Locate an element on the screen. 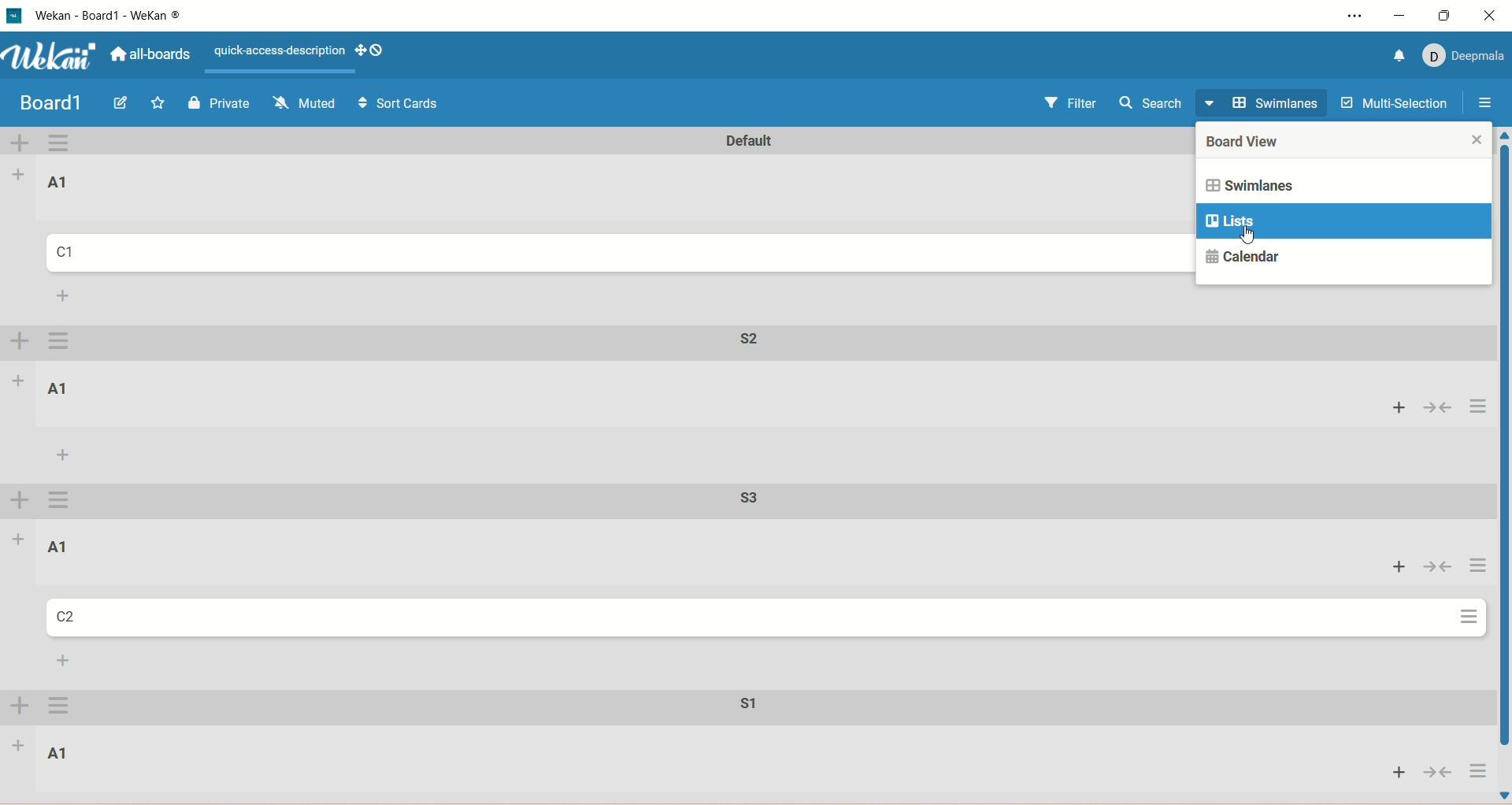 The image size is (1512, 805). minimize is located at coordinates (1403, 16).